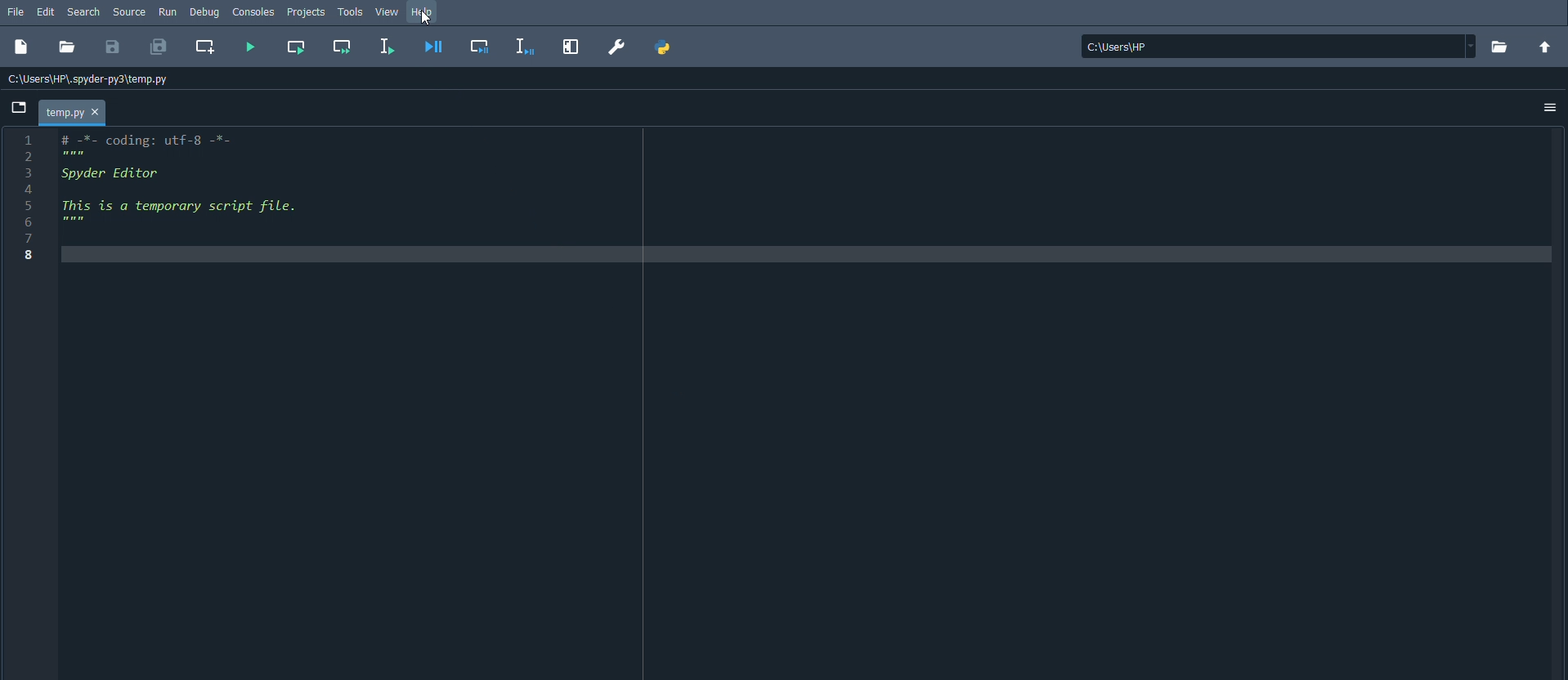 Image resolution: width=1568 pixels, height=680 pixels. Describe the element at coordinates (27, 204) in the screenshot. I see `line numbers` at that location.